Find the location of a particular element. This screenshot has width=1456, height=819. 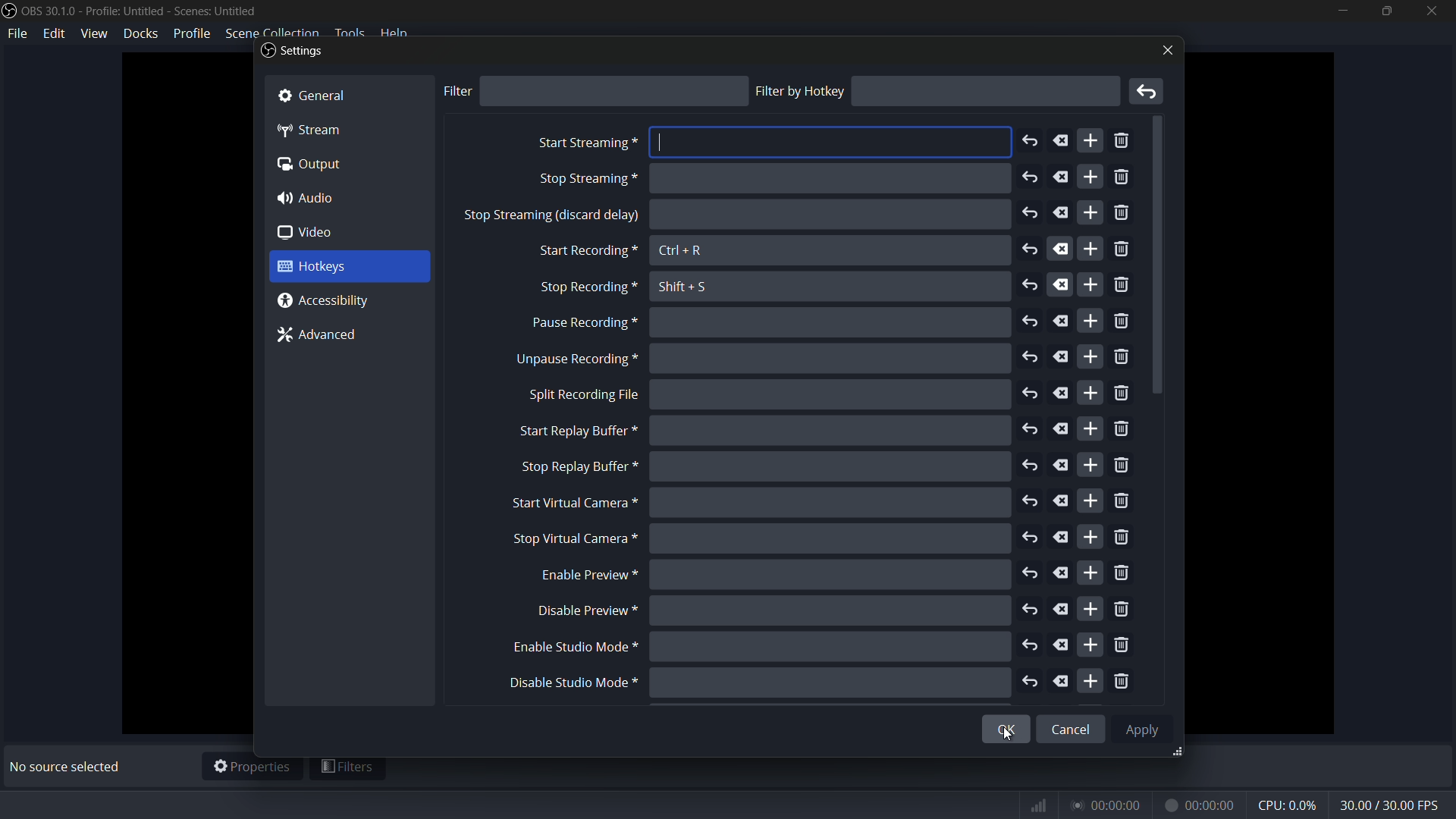

delete is located at coordinates (1062, 574).